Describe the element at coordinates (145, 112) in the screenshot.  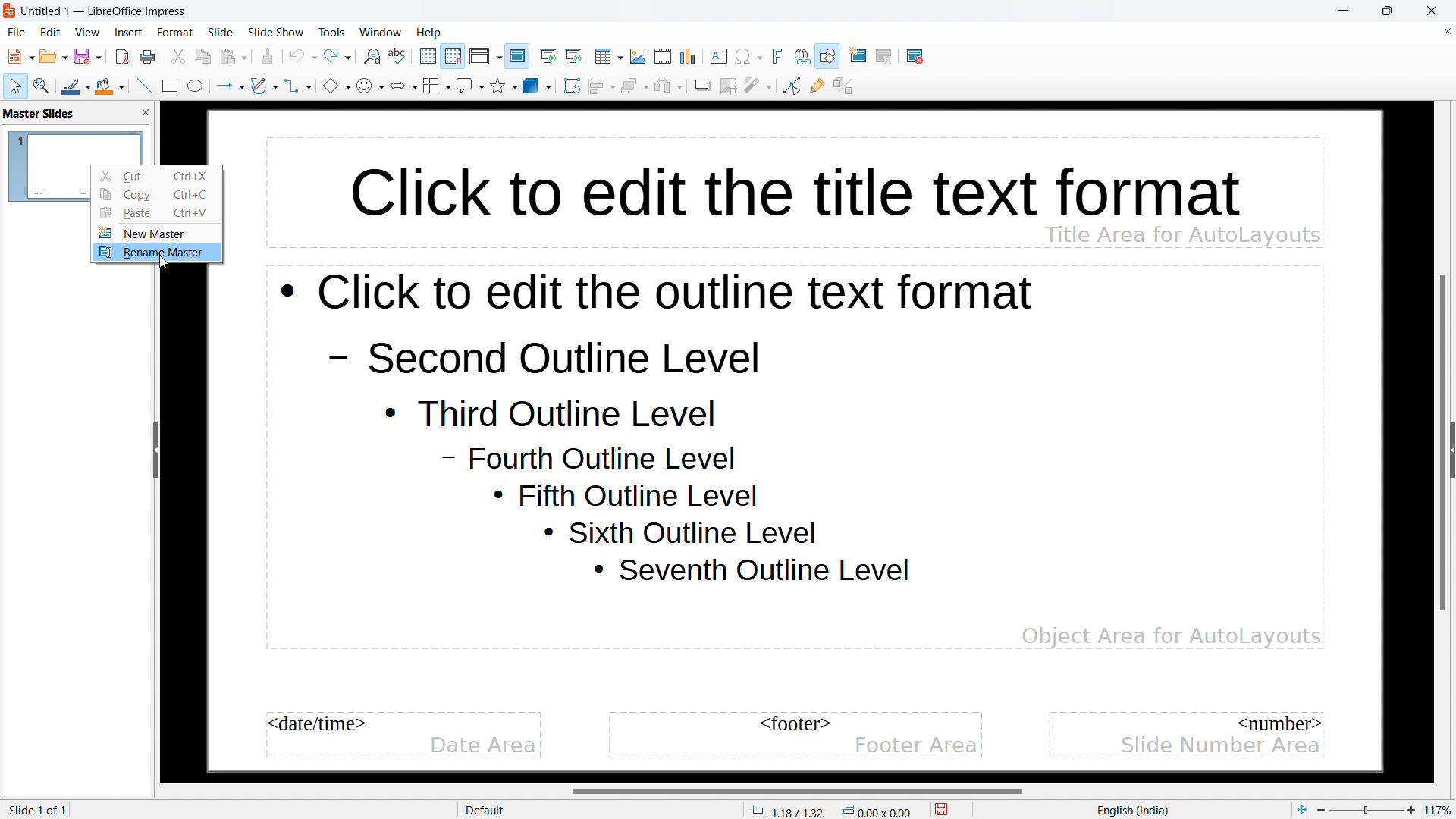
I see `close pane` at that location.